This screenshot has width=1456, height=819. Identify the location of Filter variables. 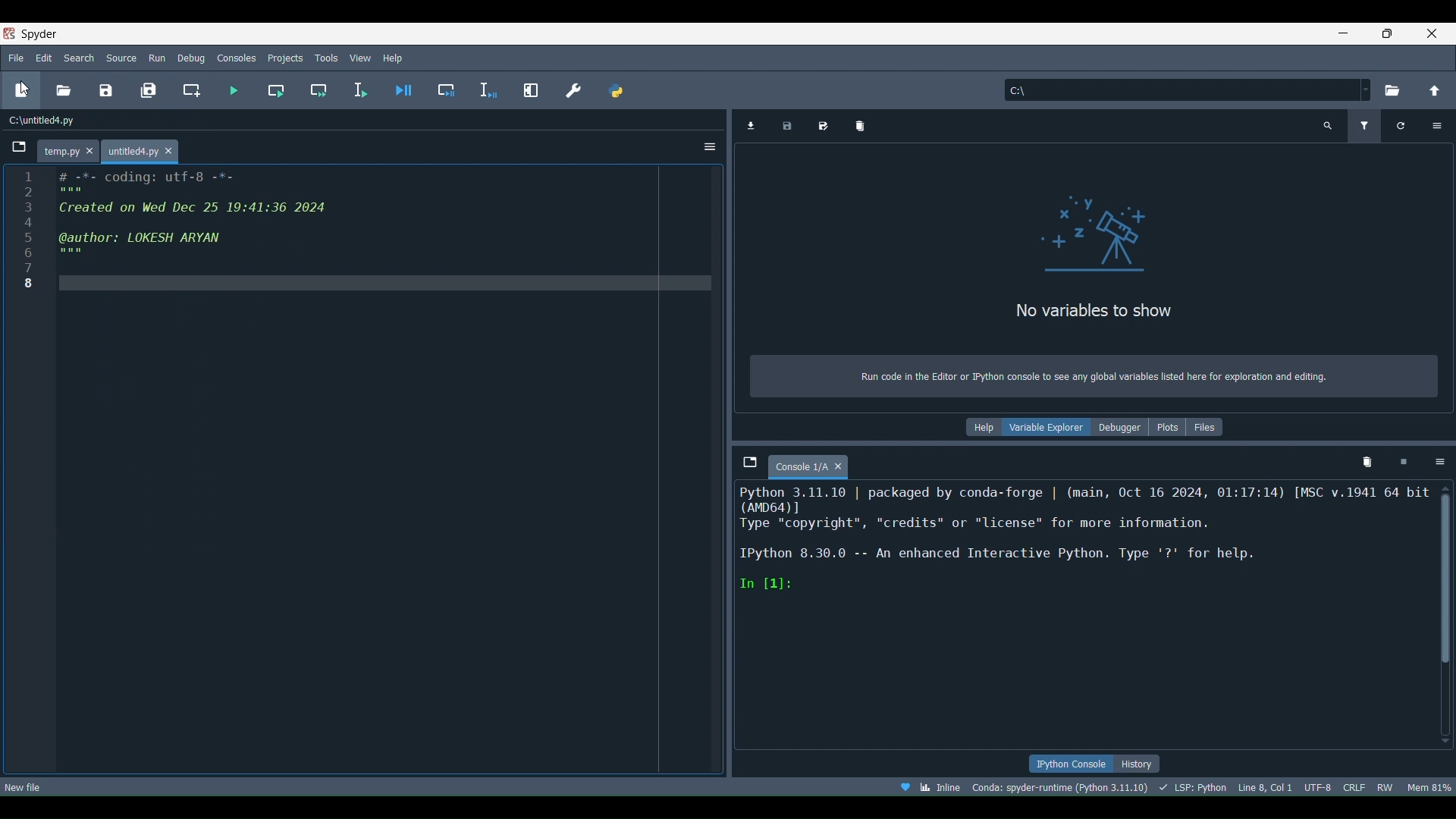
(1361, 125).